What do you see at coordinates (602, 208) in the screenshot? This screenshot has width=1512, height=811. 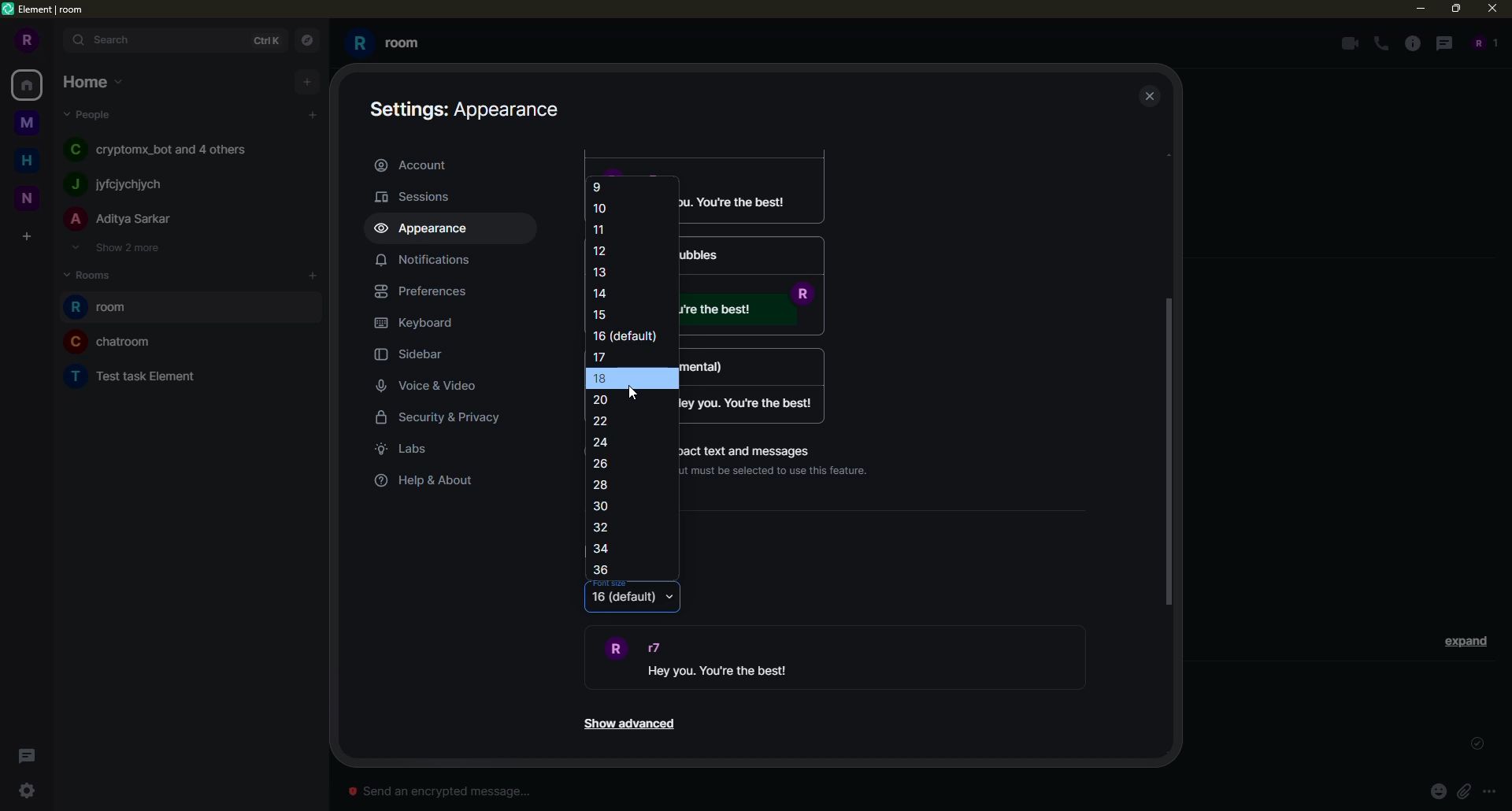 I see `10` at bounding box center [602, 208].